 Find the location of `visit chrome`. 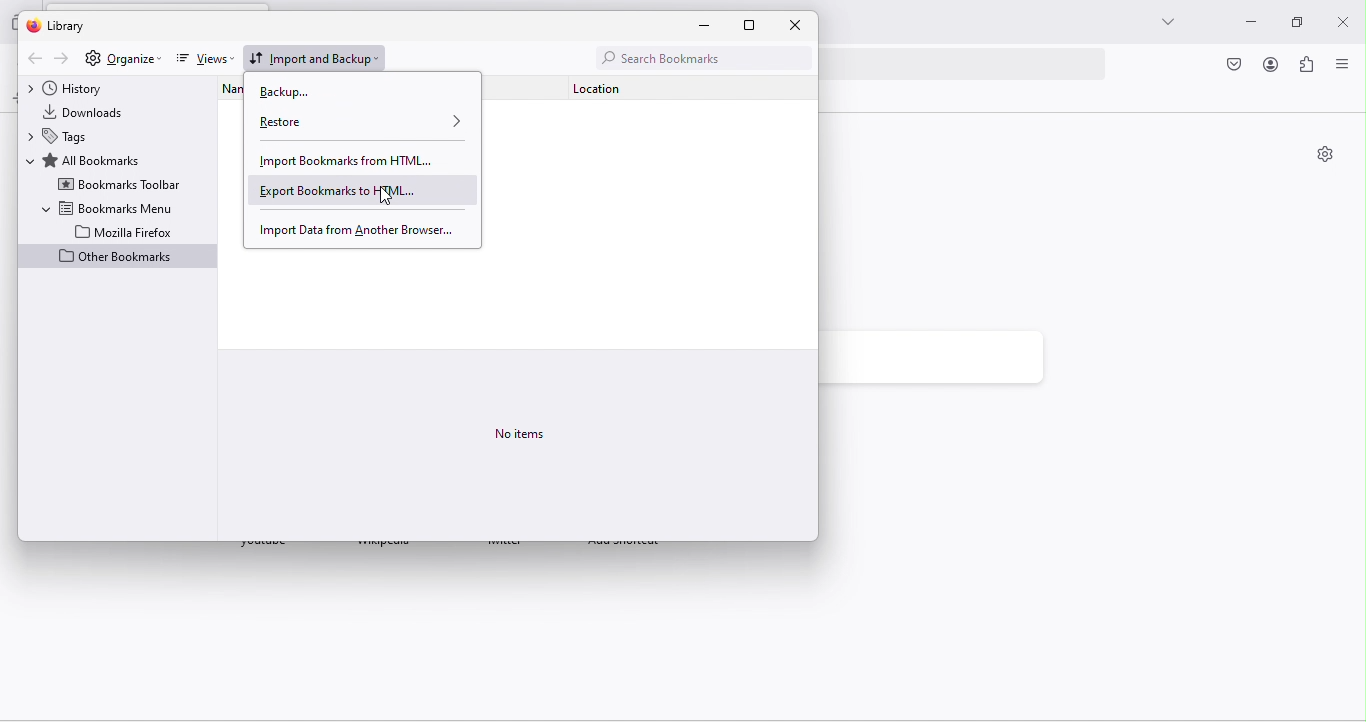

visit chrome is located at coordinates (1236, 66).